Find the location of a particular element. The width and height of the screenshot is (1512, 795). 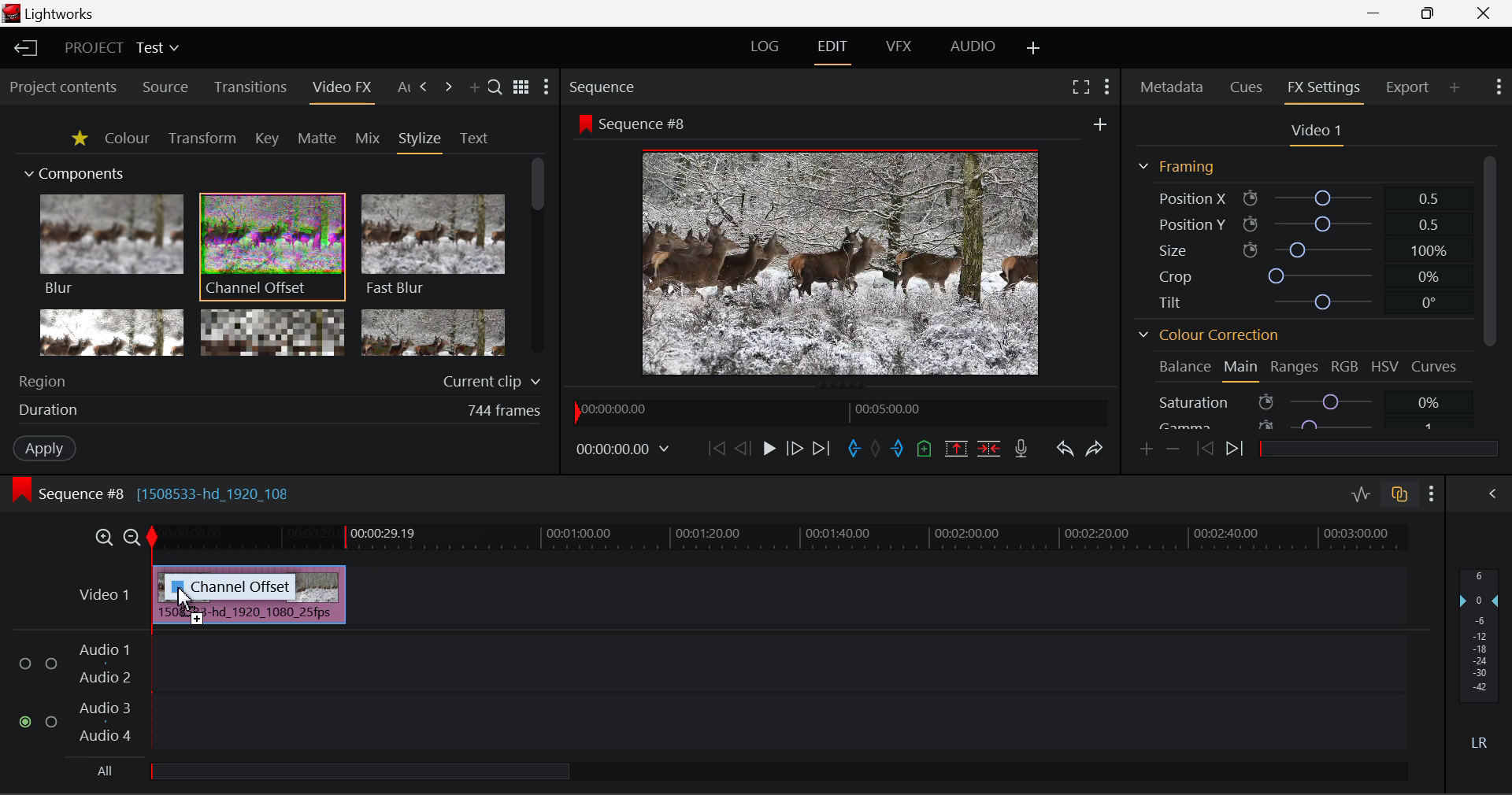

Export is located at coordinates (1408, 87).